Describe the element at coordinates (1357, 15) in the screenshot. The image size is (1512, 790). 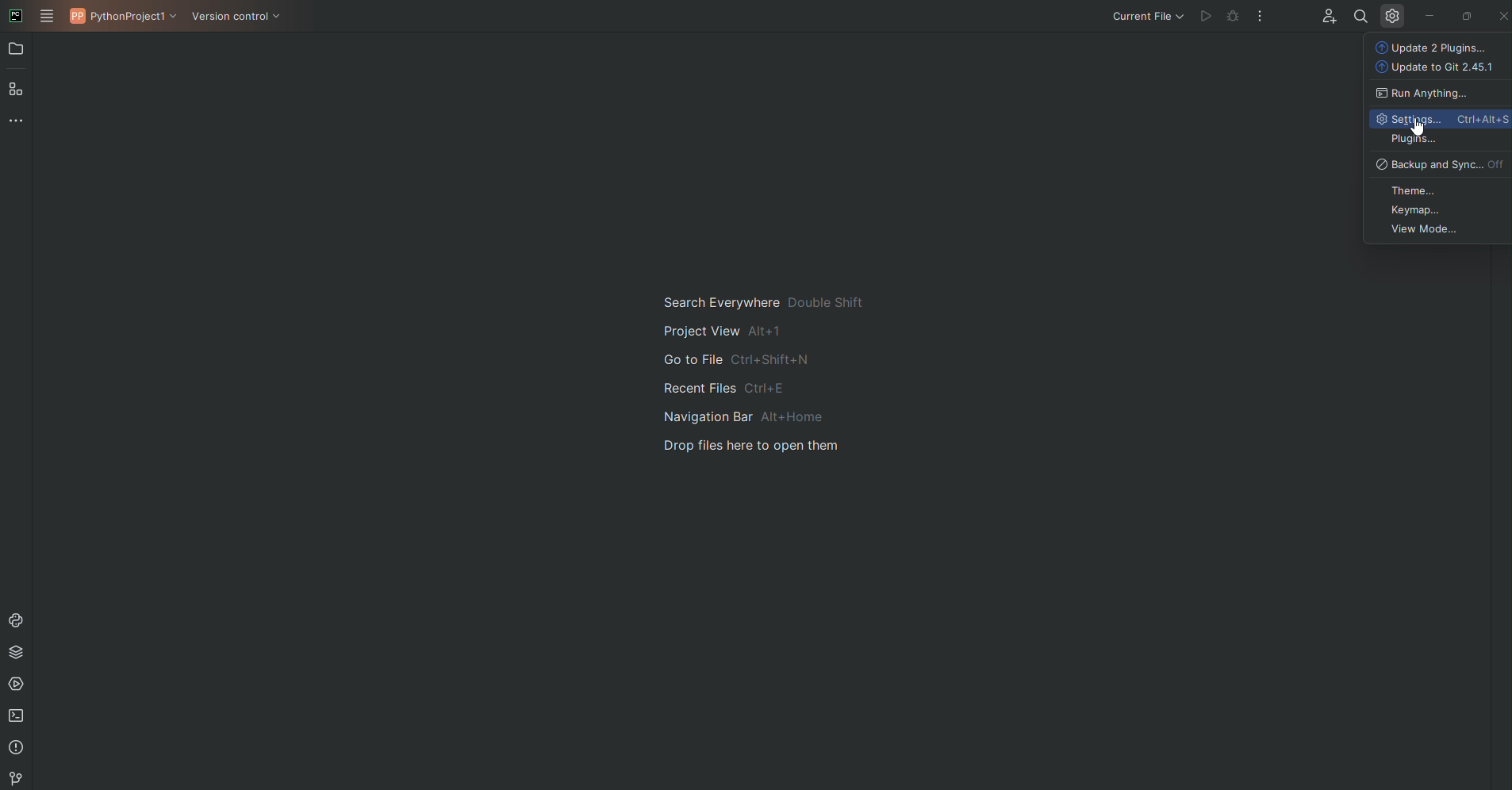
I see `Find` at that location.